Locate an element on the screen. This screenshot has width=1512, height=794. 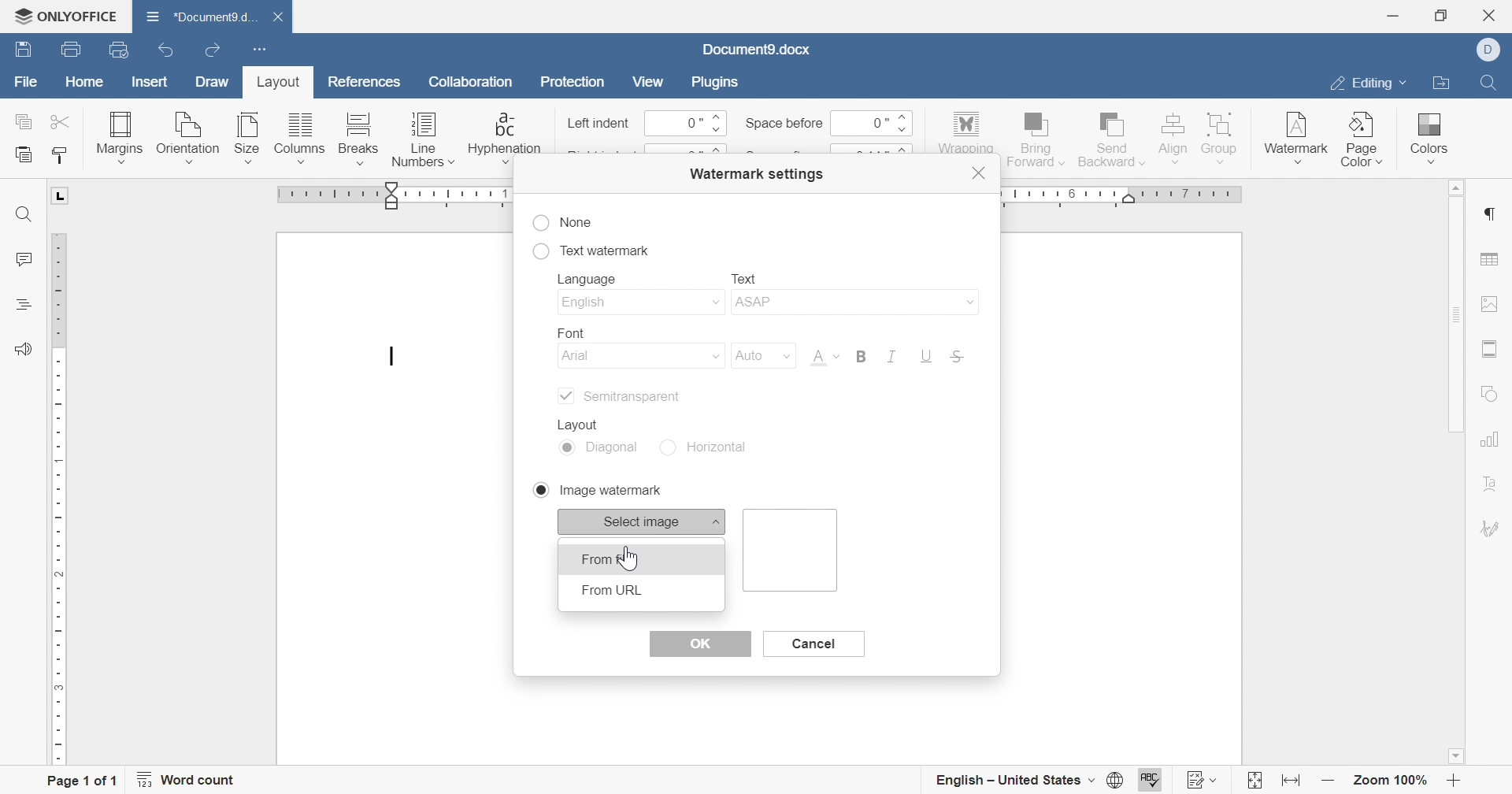
copy style is located at coordinates (61, 155).